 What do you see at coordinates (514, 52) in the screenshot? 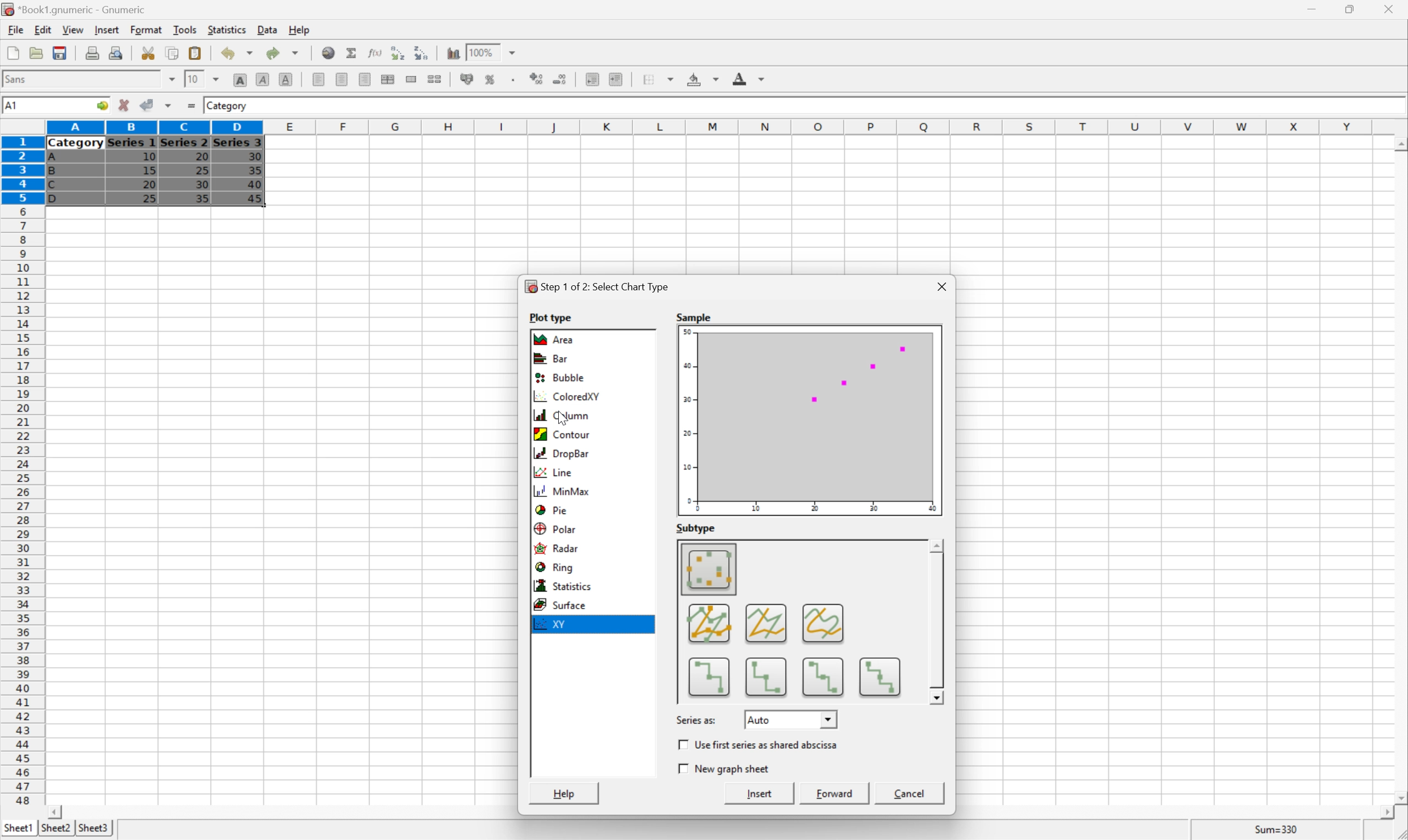
I see `Drop Down` at bounding box center [514, 52].